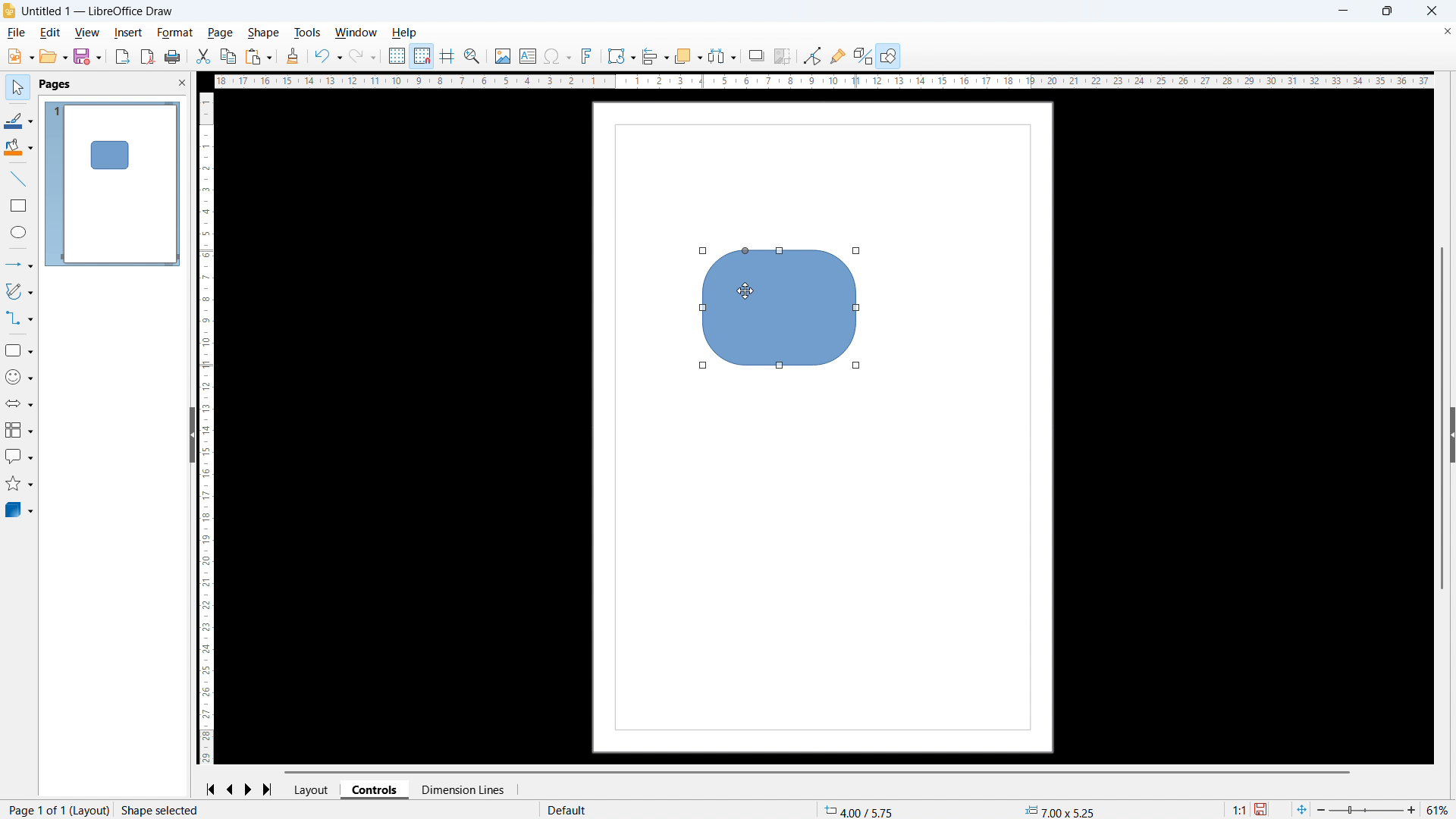 This screenshot has height=819, width=1456. I want to click on Background colour , so click(19, 149).